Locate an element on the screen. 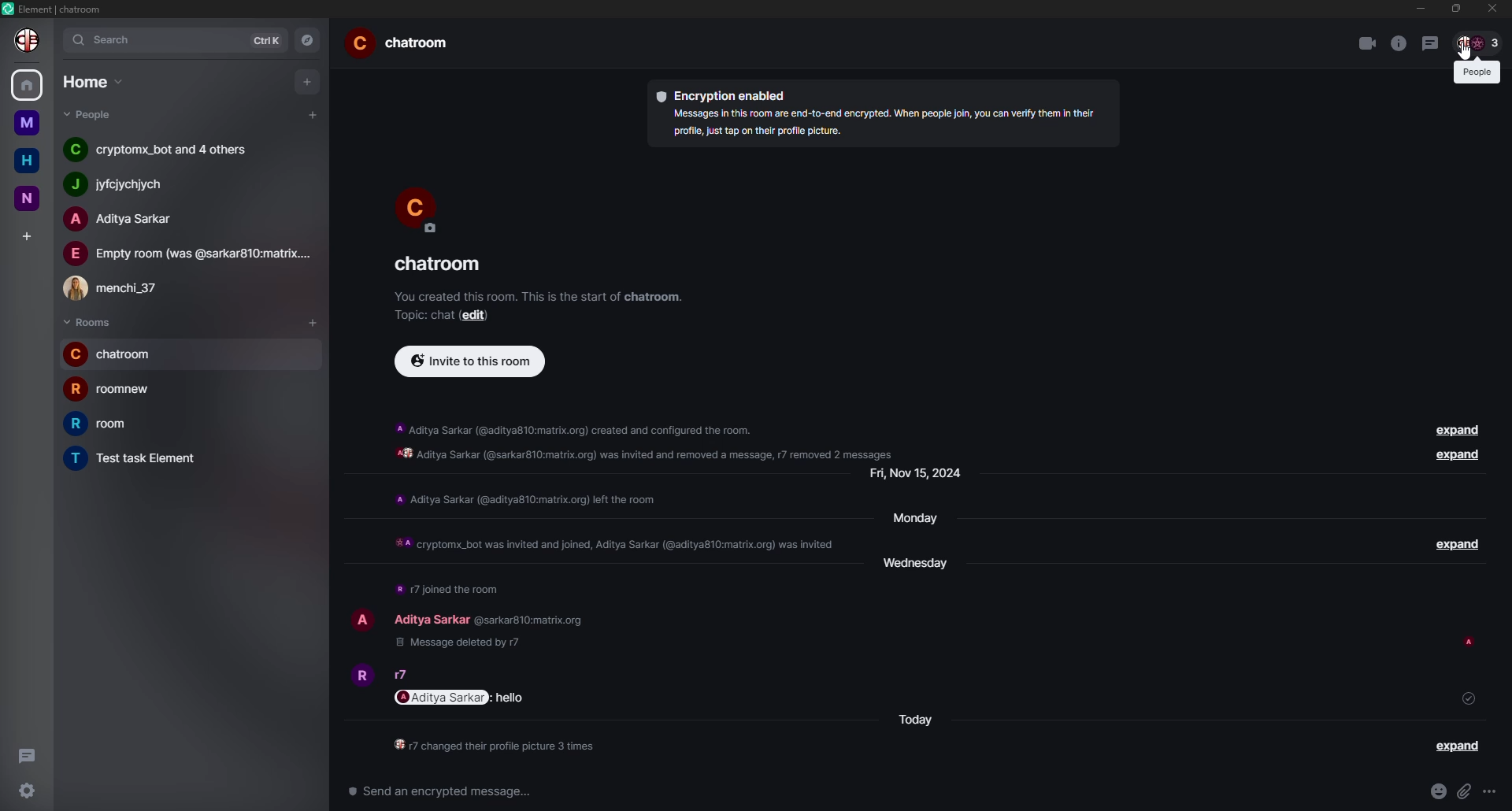  people is located at coordinates (189, 254).